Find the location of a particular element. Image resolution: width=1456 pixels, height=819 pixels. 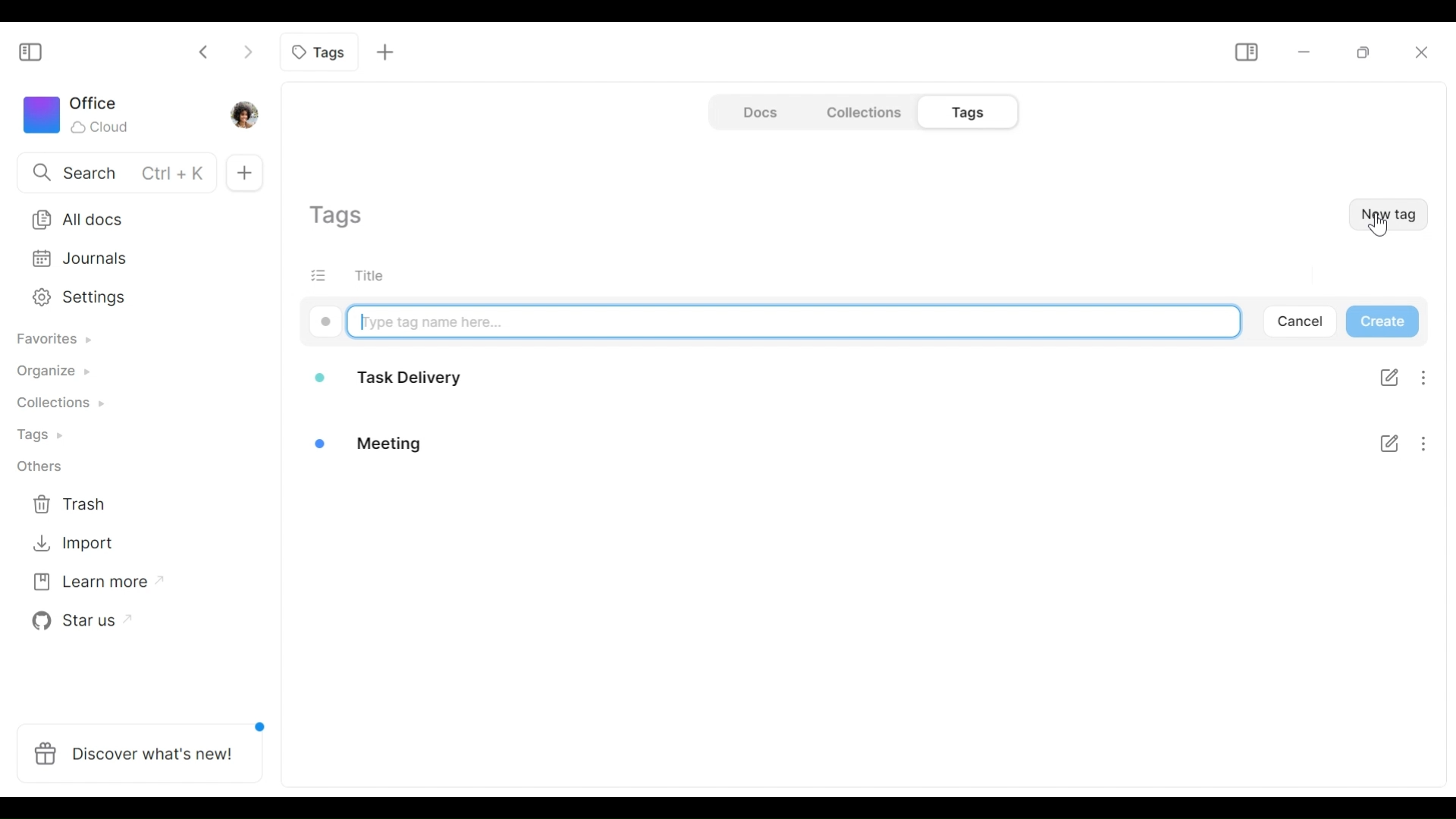

Close is located at coordinates (1423, 51).